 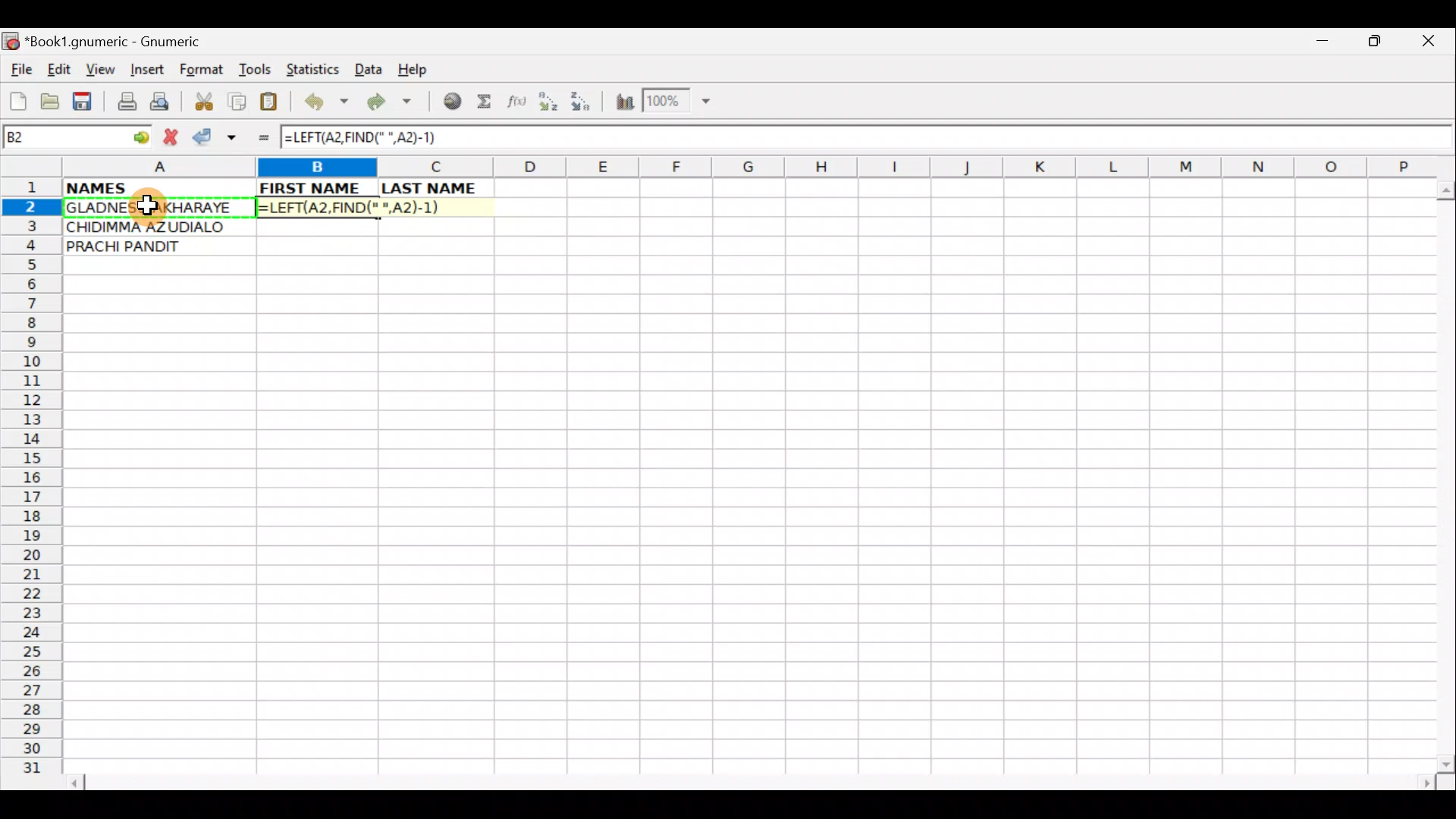 What do you see at coordinates (86, 102) in the screenshot?
I see `Save current workbook` at bounding box center [86, 102].